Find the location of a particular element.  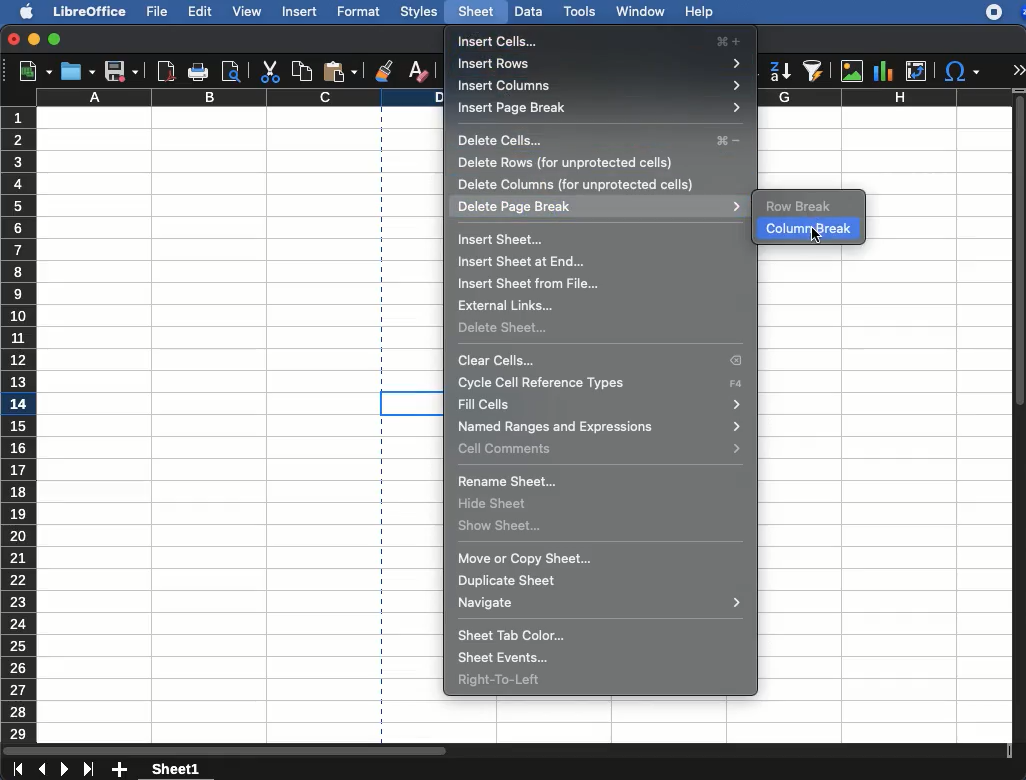

navigate is located at coordinates (598, 603).